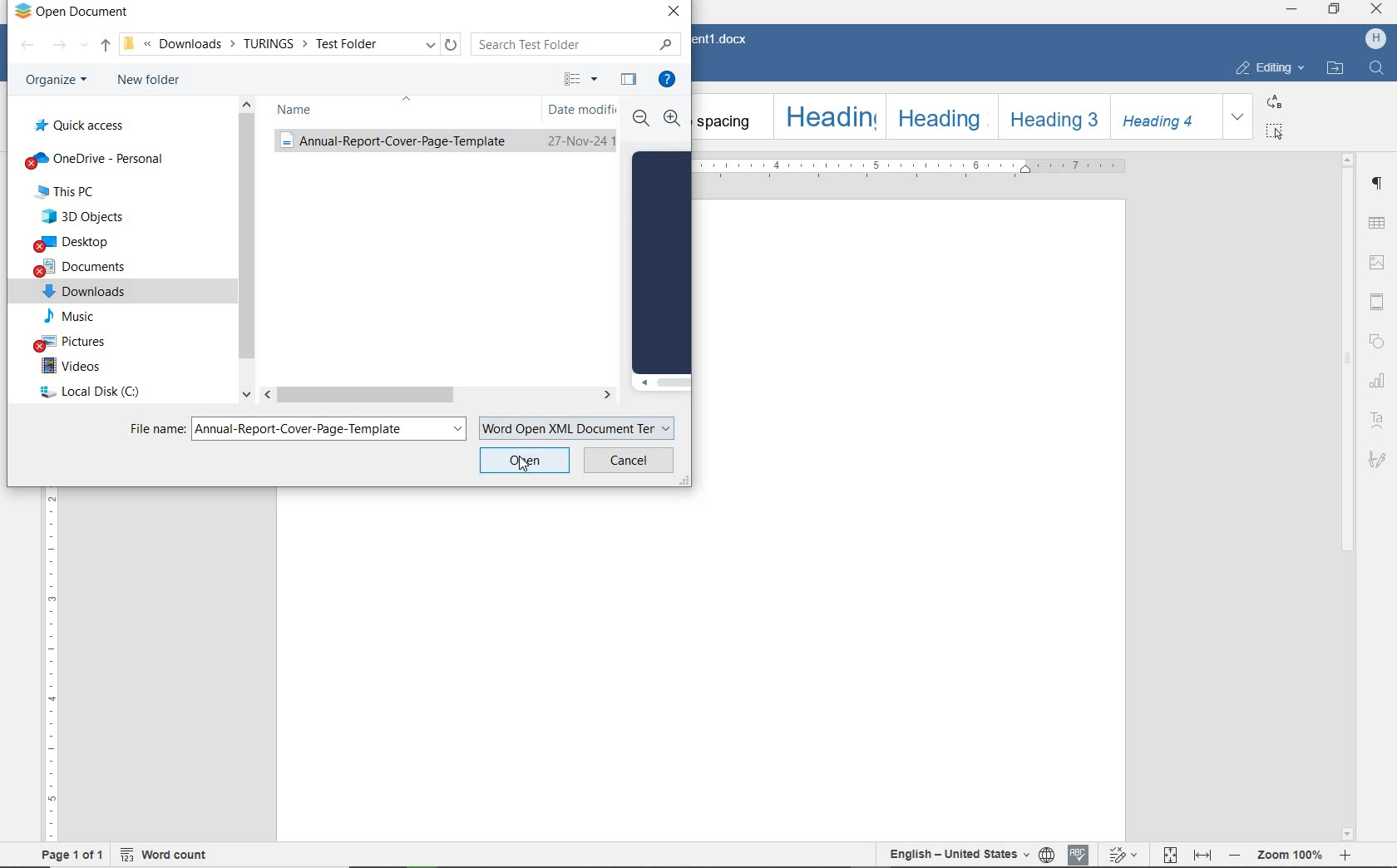 Image resolution: width=1397 pixels, height=868 pixels. What do you see at coordinates (289, 45) in the screenshot?
I see `path` at bounding box center [289, 45].